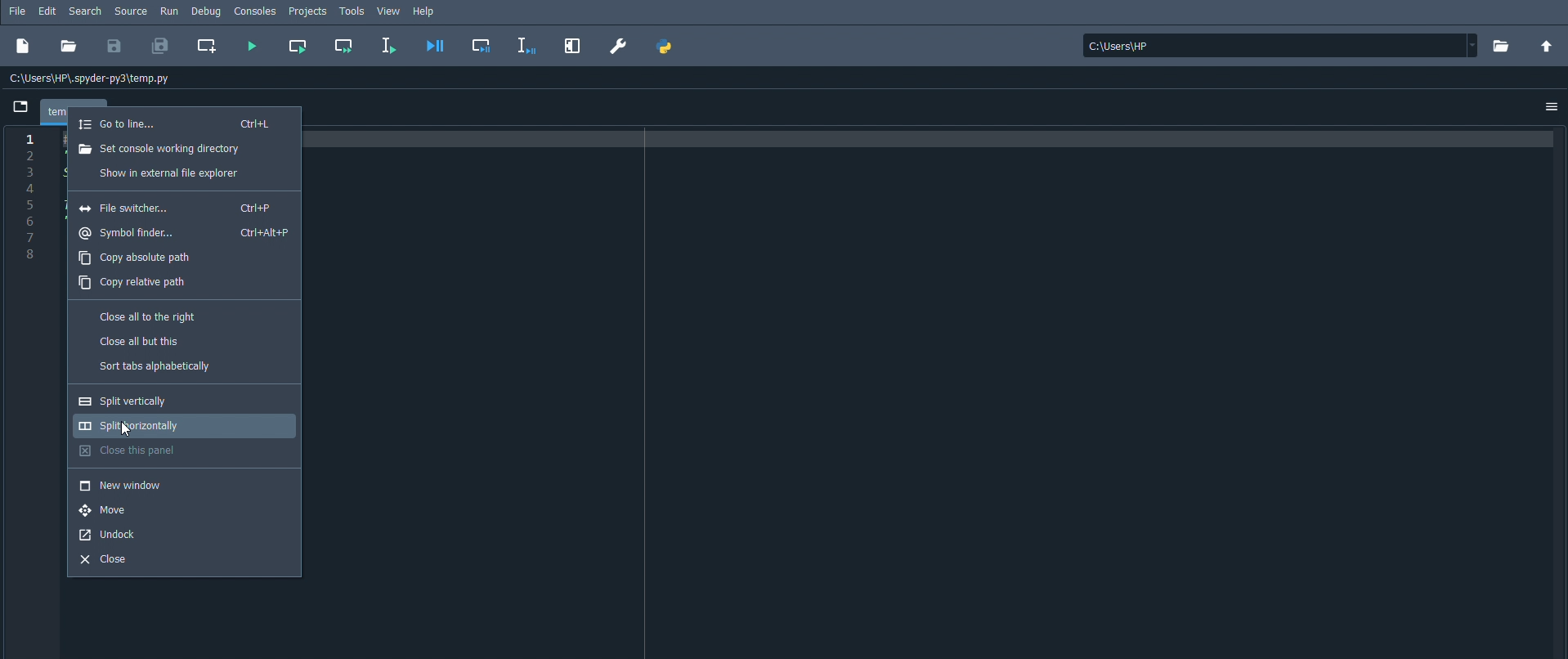 This screenshot has height=659, width=1568. Describe the element at coordinates (18, 107) in the screenshot. I see `Browse tabs` at that location.